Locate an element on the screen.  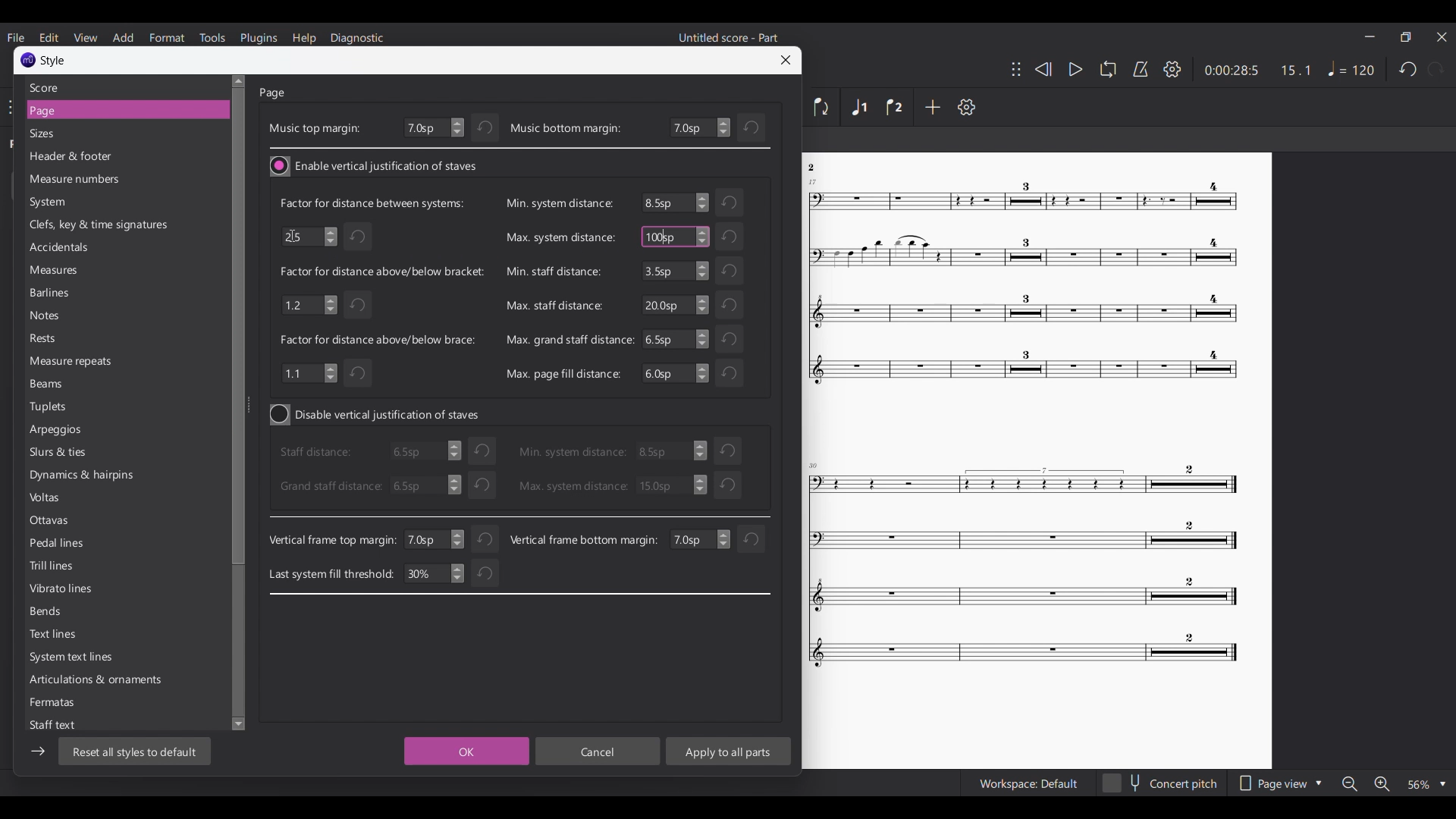
Smaller tab is located at coordinates (1405, 37).